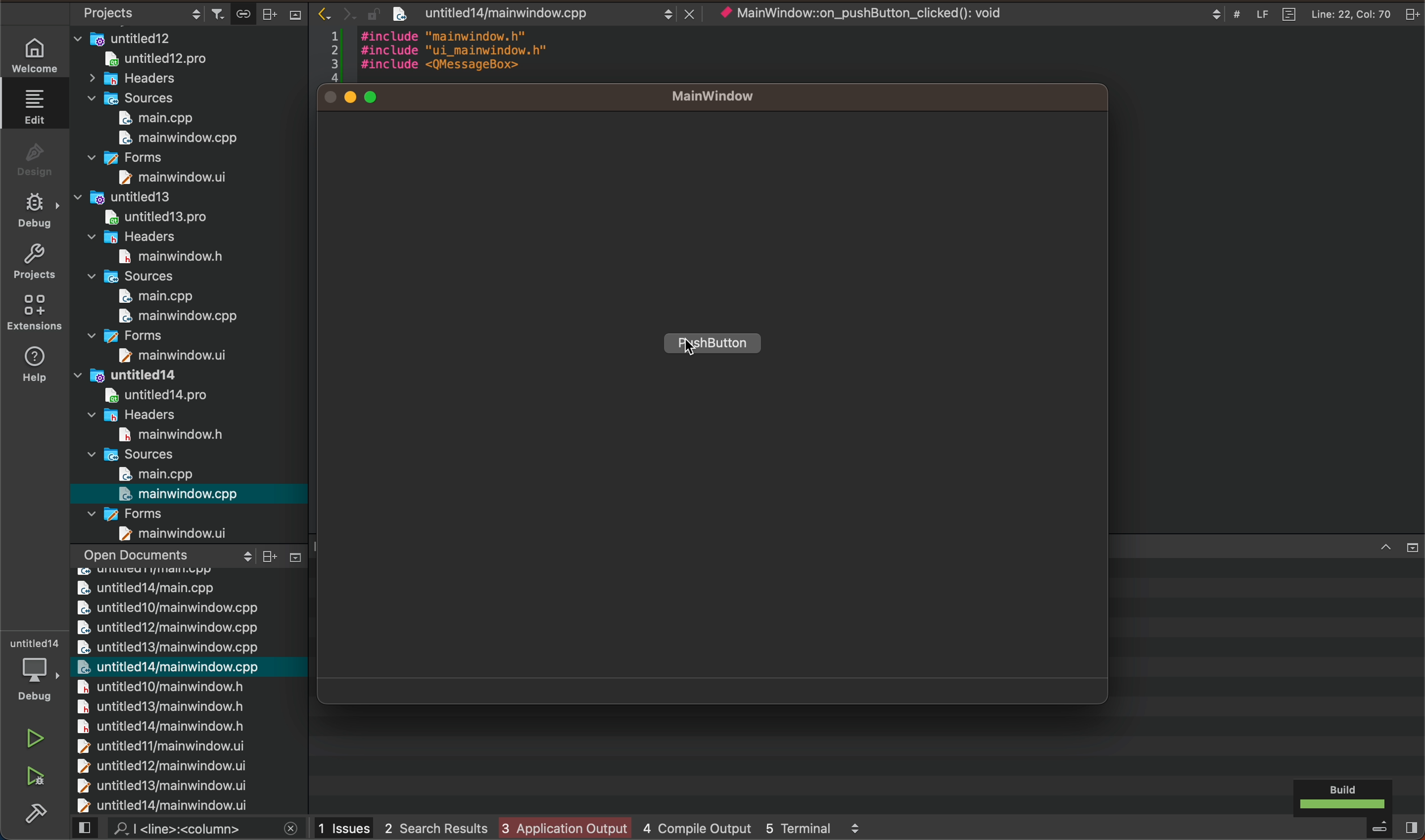  What do you see at coordinates (178, 533) in the screenshot?
I see `main window` at bounding box center [178, 533].